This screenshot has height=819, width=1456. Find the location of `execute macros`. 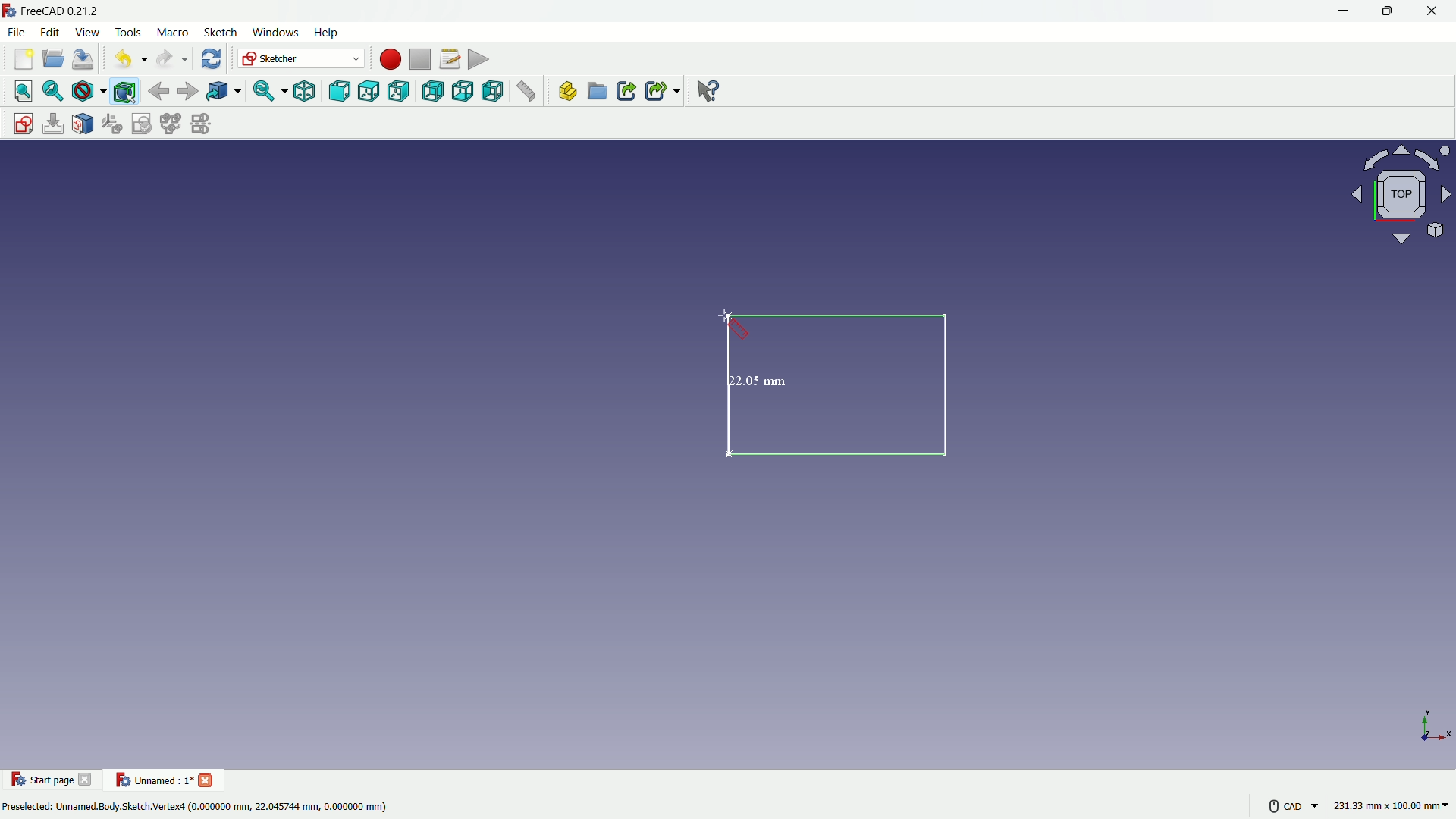

execute macros is located at coordinates (479, 61).